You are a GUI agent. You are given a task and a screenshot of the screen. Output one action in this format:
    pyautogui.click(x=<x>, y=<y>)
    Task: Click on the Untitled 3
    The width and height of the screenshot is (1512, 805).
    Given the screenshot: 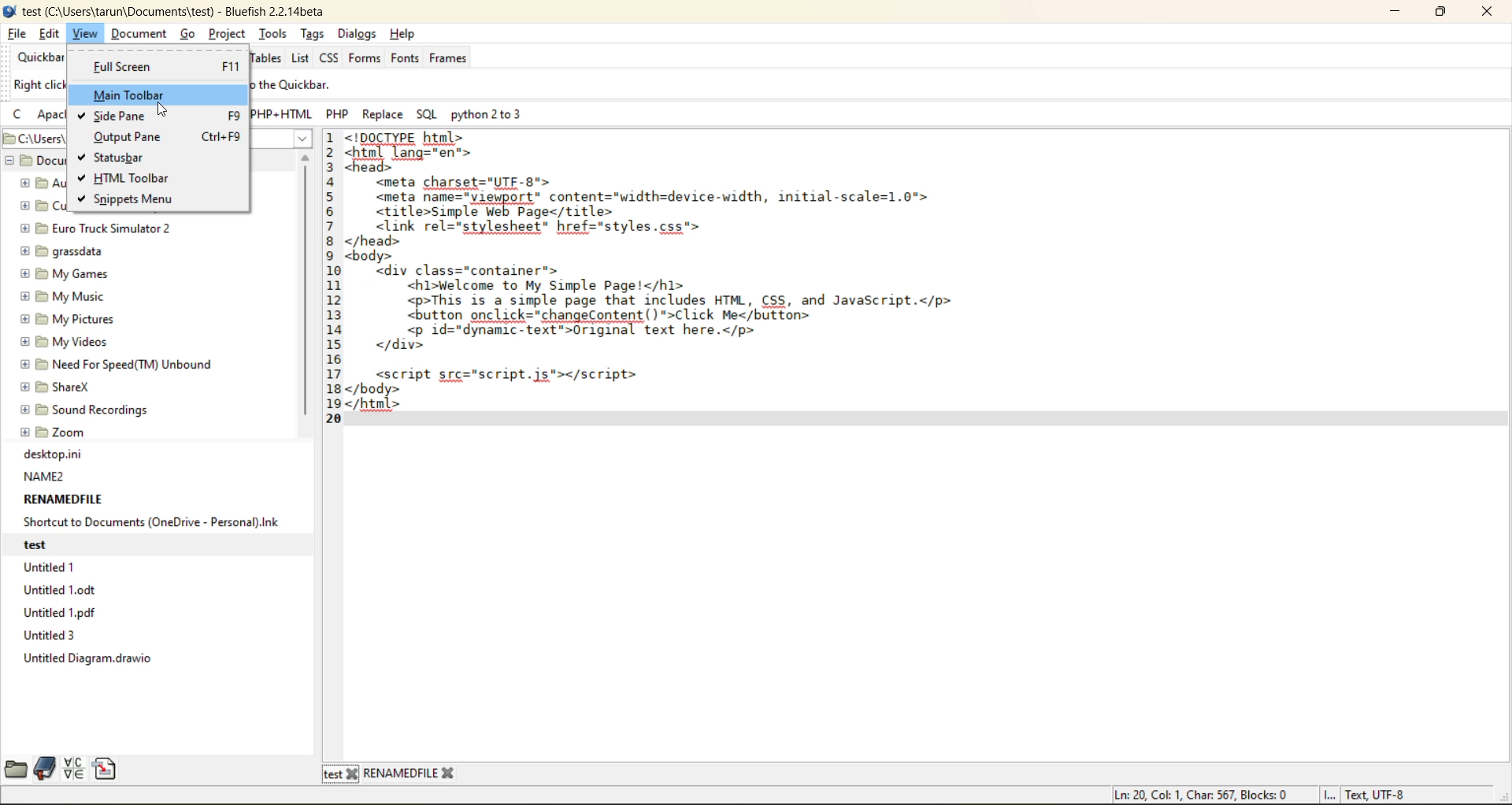 What is the action you would take?
    pyautogui.click(x=53, y=636)
    